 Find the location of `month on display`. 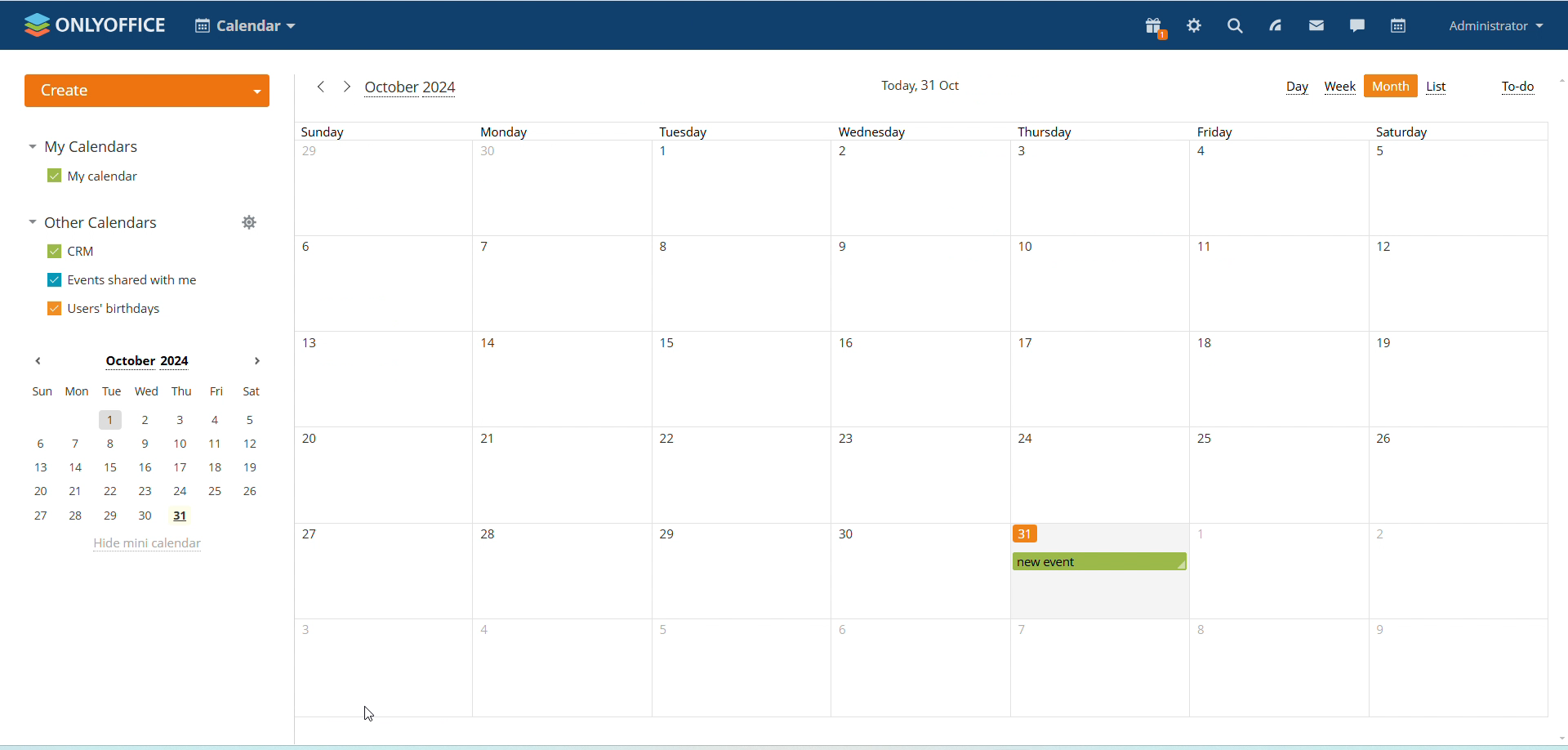

month on display is located at coordinates (147, 363).